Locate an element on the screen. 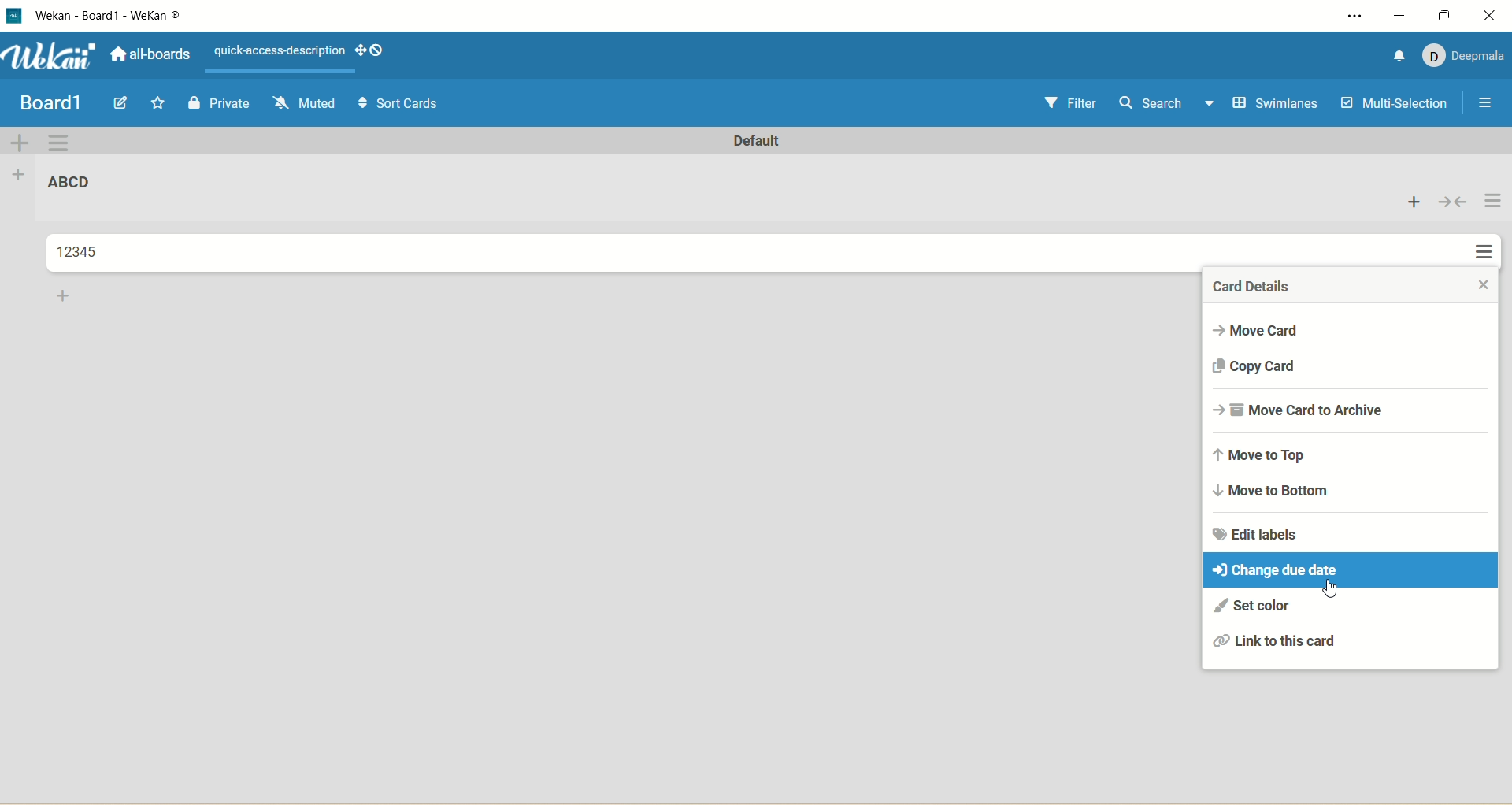 The height and width of the screenshot is (805, 1512). move to top is located at coordinates (1263, 454).